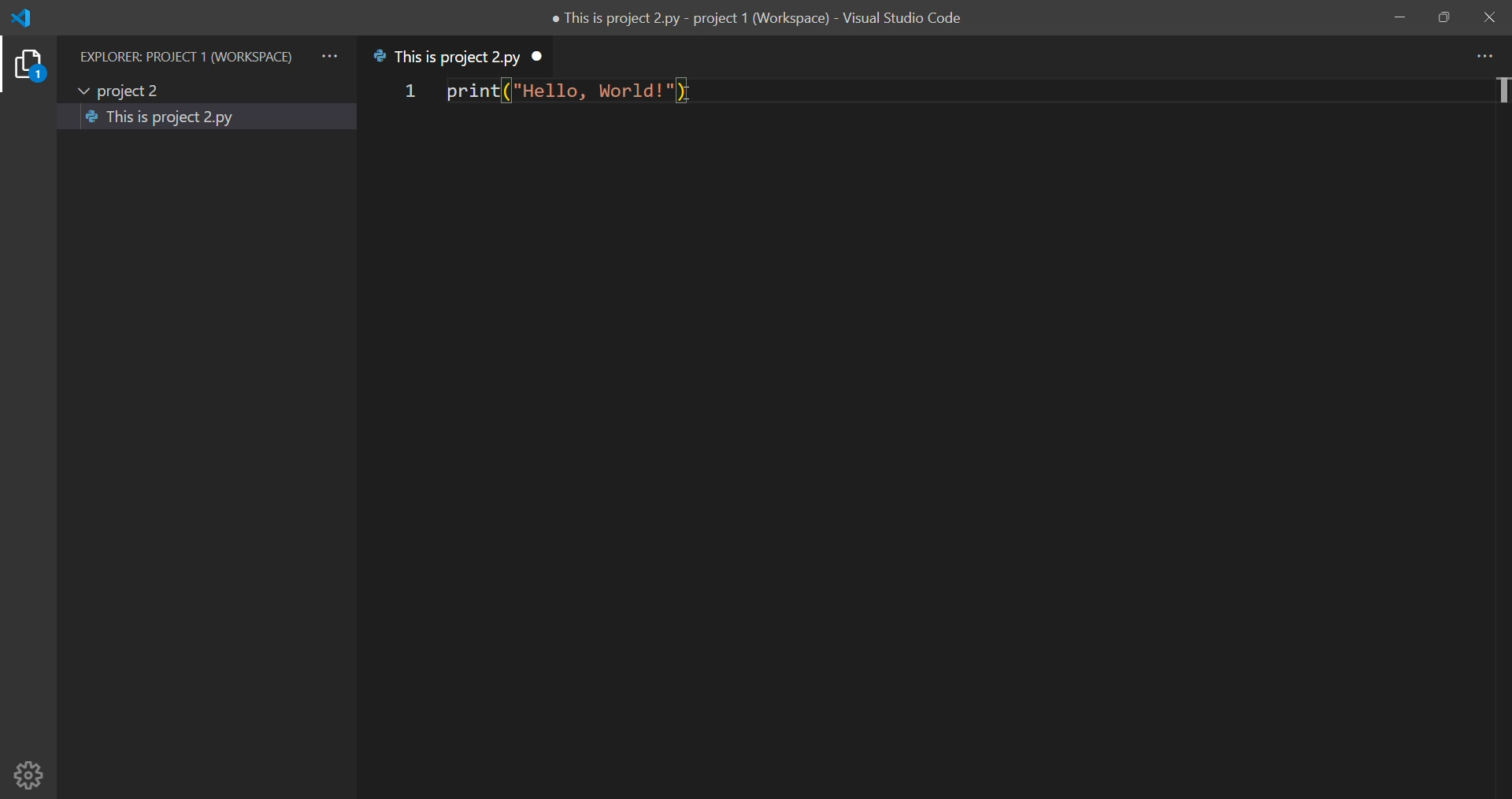  Describe the element at coordinates (408, 92) in the screenshot. I see `line number` at that location.